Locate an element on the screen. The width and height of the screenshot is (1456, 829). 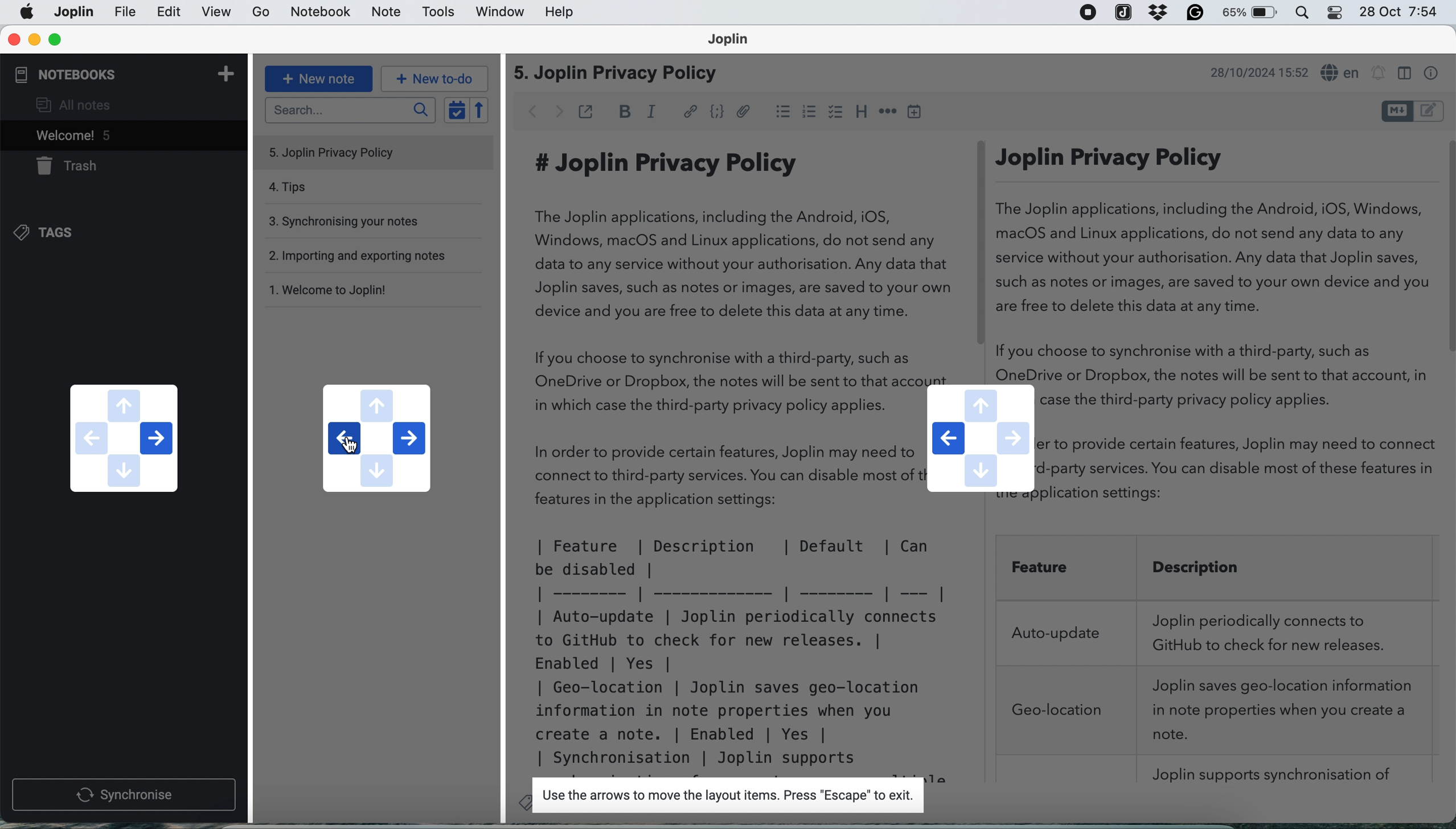
navigation buttons is located at coordinates (980, 440).